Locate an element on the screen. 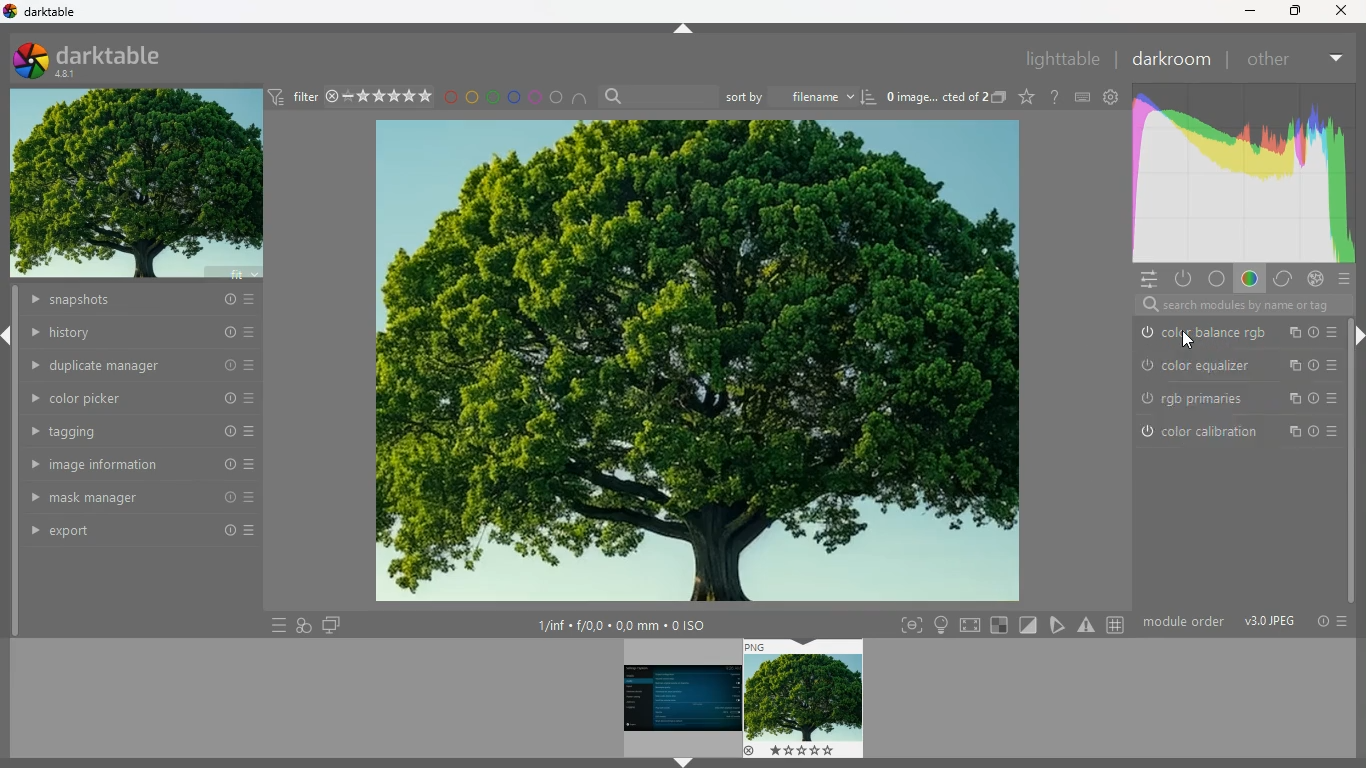 The width and height of the screenshot is (1366, 768). sort by filename is located at coordinates (801, 95).